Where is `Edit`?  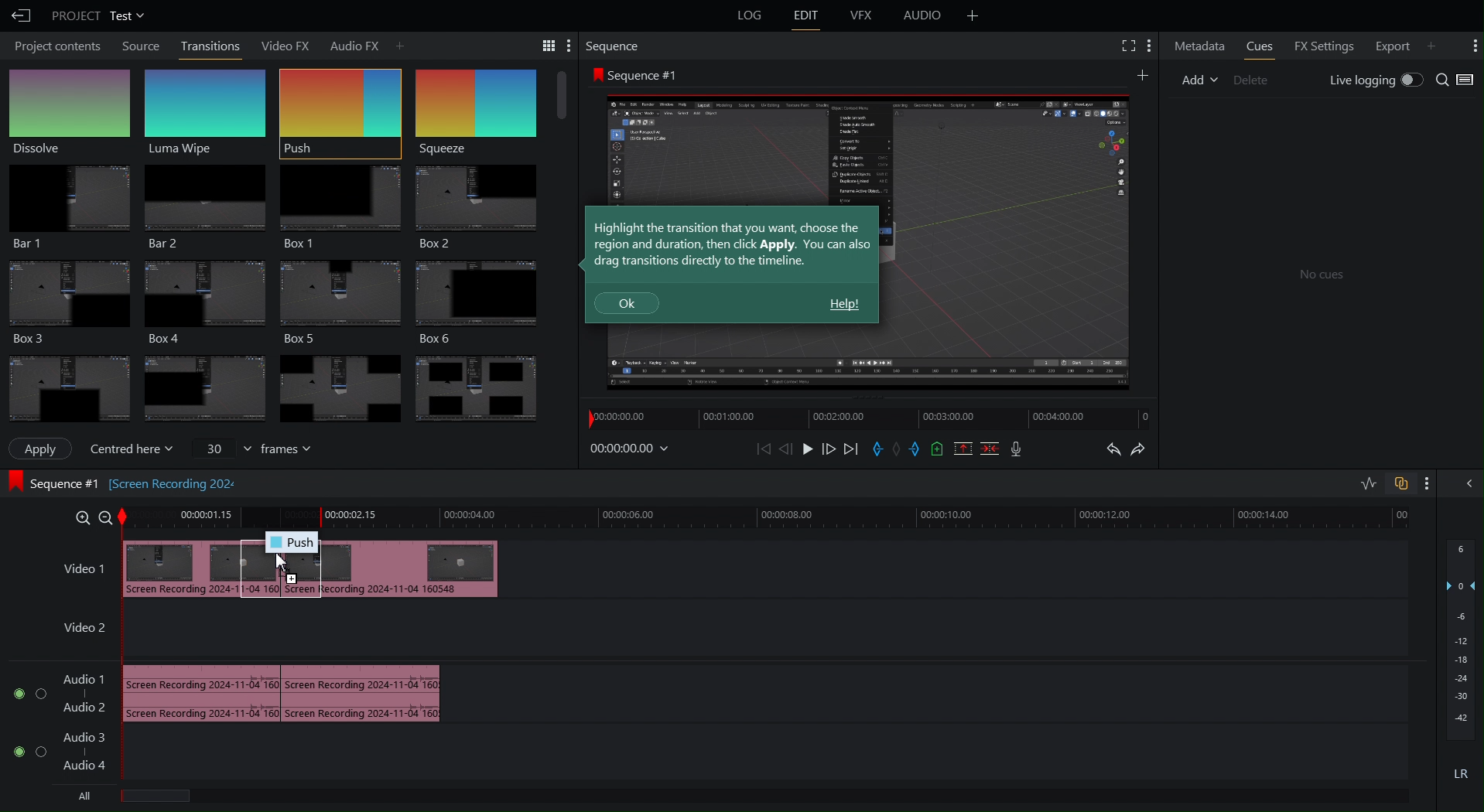
Edit is located at coordinates (809, 16).